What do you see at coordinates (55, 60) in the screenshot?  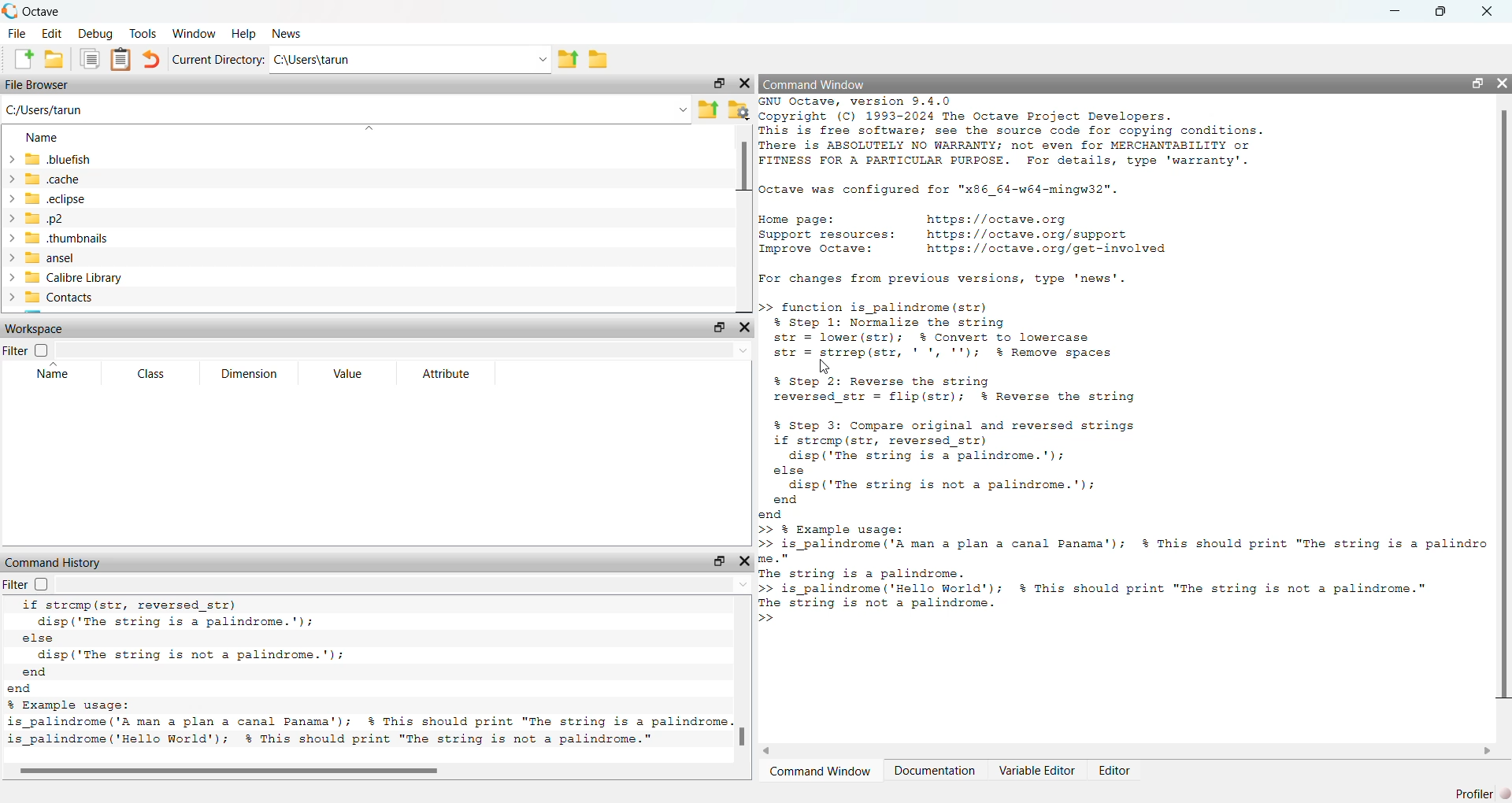 I see `open an existing file in editor` at bounding box center [55, 60].